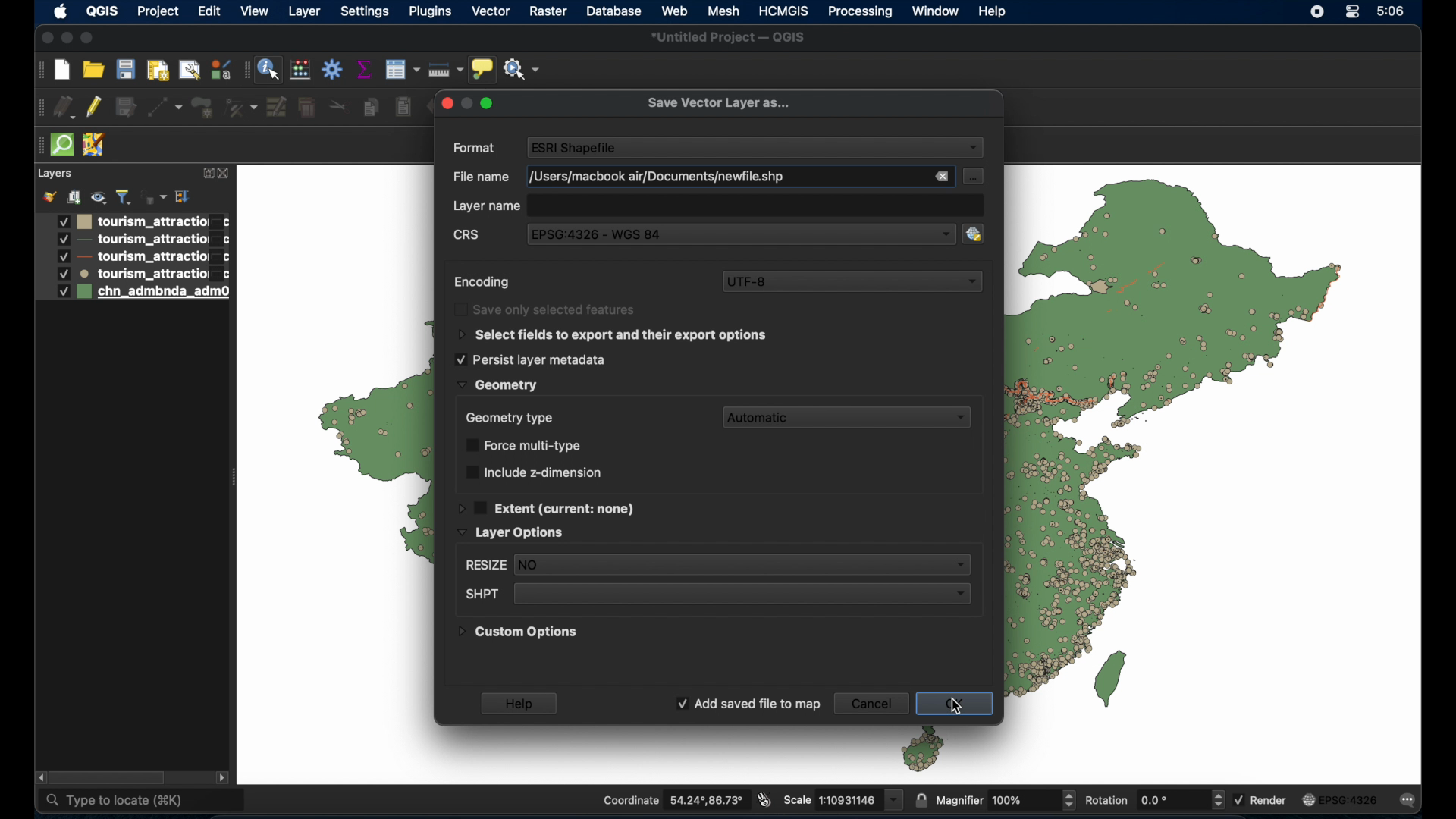  What do you see at coordinates (723, 11) in the screenshot?
I see `mesh` at bounding box center [723, 11].